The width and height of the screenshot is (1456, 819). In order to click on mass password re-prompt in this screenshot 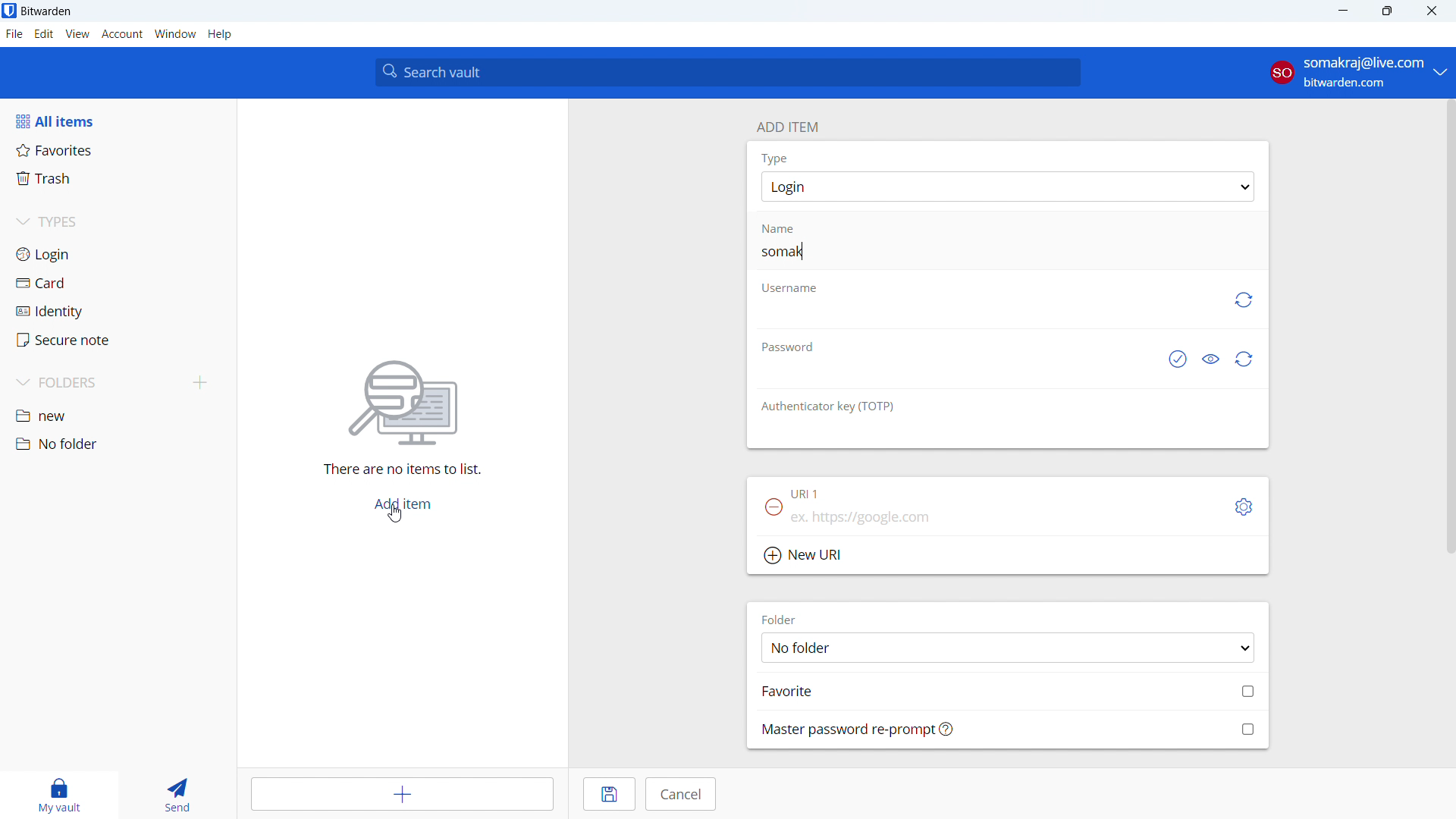, I will do `click(1009, 729)`.